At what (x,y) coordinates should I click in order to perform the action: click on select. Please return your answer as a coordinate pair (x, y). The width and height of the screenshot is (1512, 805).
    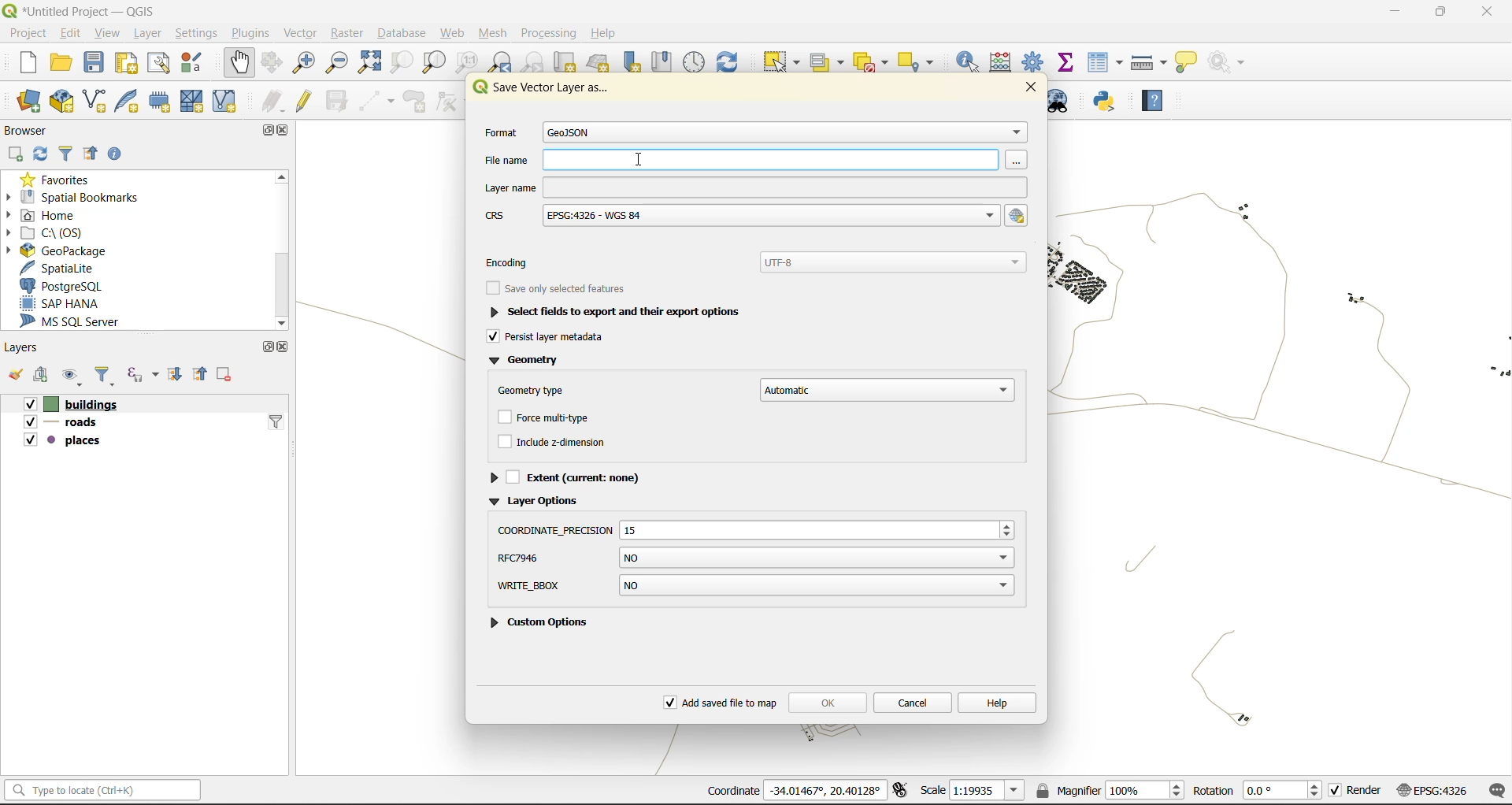
    Looking at the image, I should click on (779, 62).